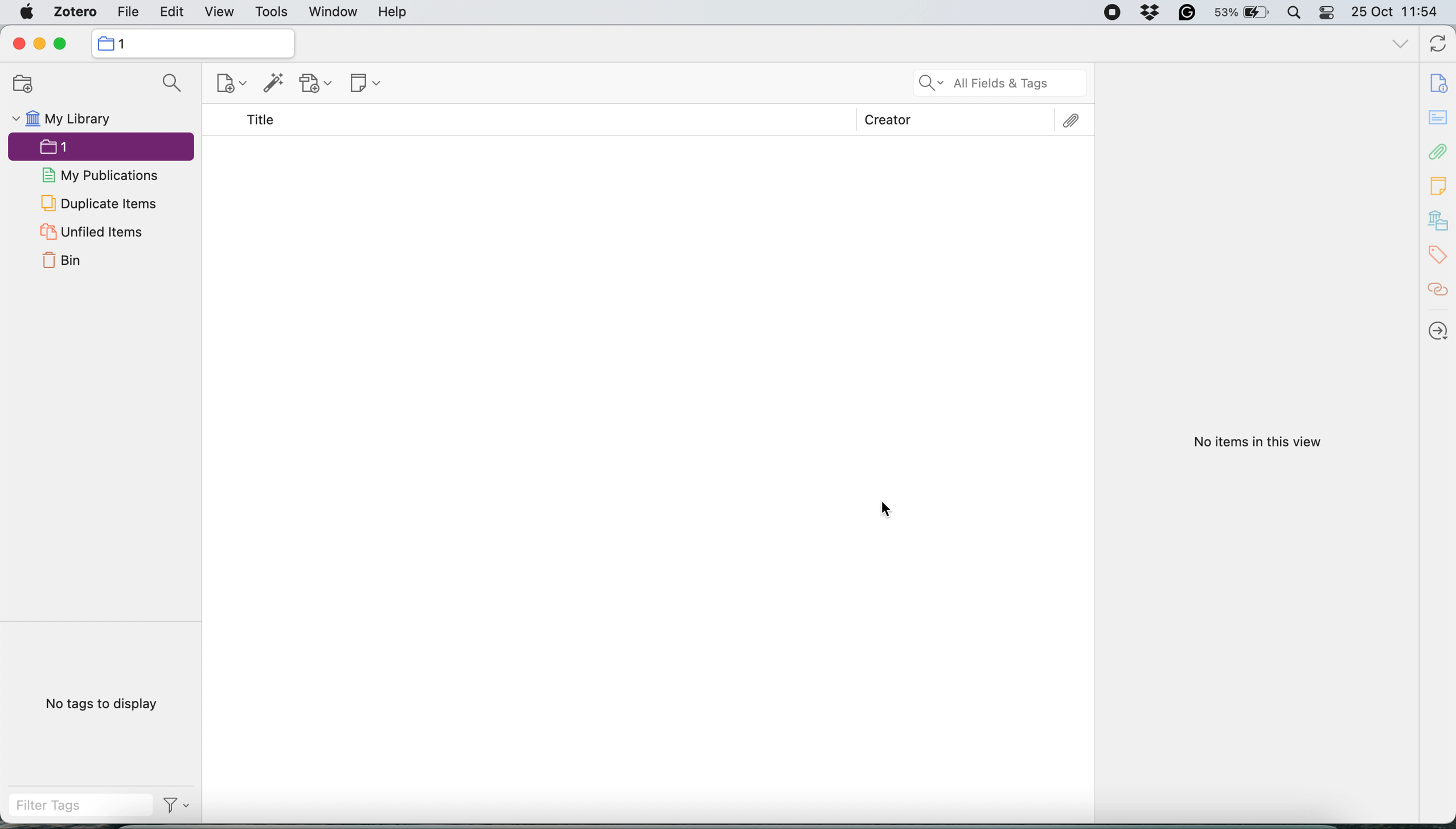 The height and width of the screenshot is (829, 1456). Describe the element at coordinates (1439, 222) in the screenshot. I see `library` at that location.